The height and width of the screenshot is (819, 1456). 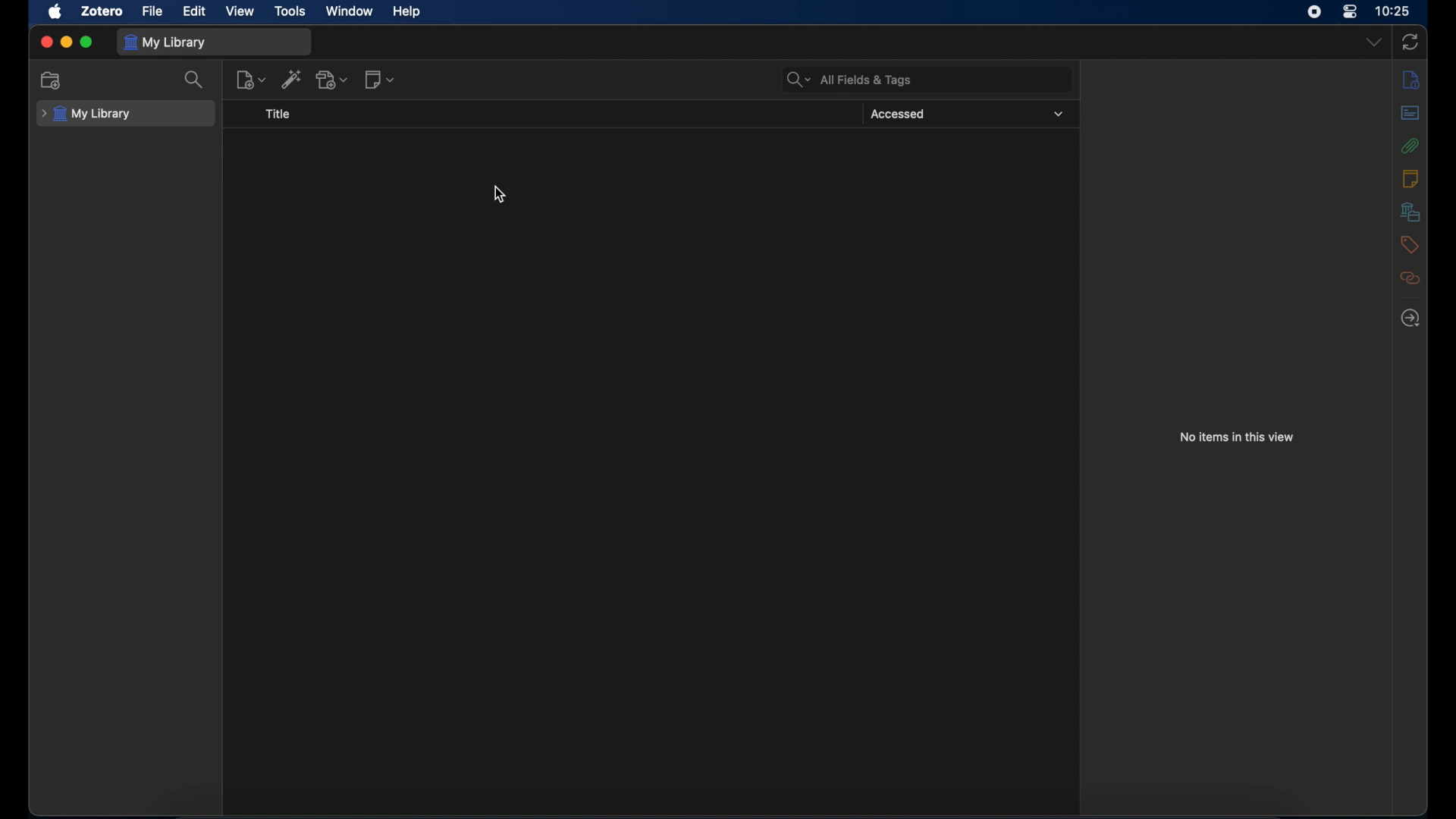 What do you see at coordinates (1410, 244) in the screenshot?
I see `tags` at bounding box center [1410, 244].